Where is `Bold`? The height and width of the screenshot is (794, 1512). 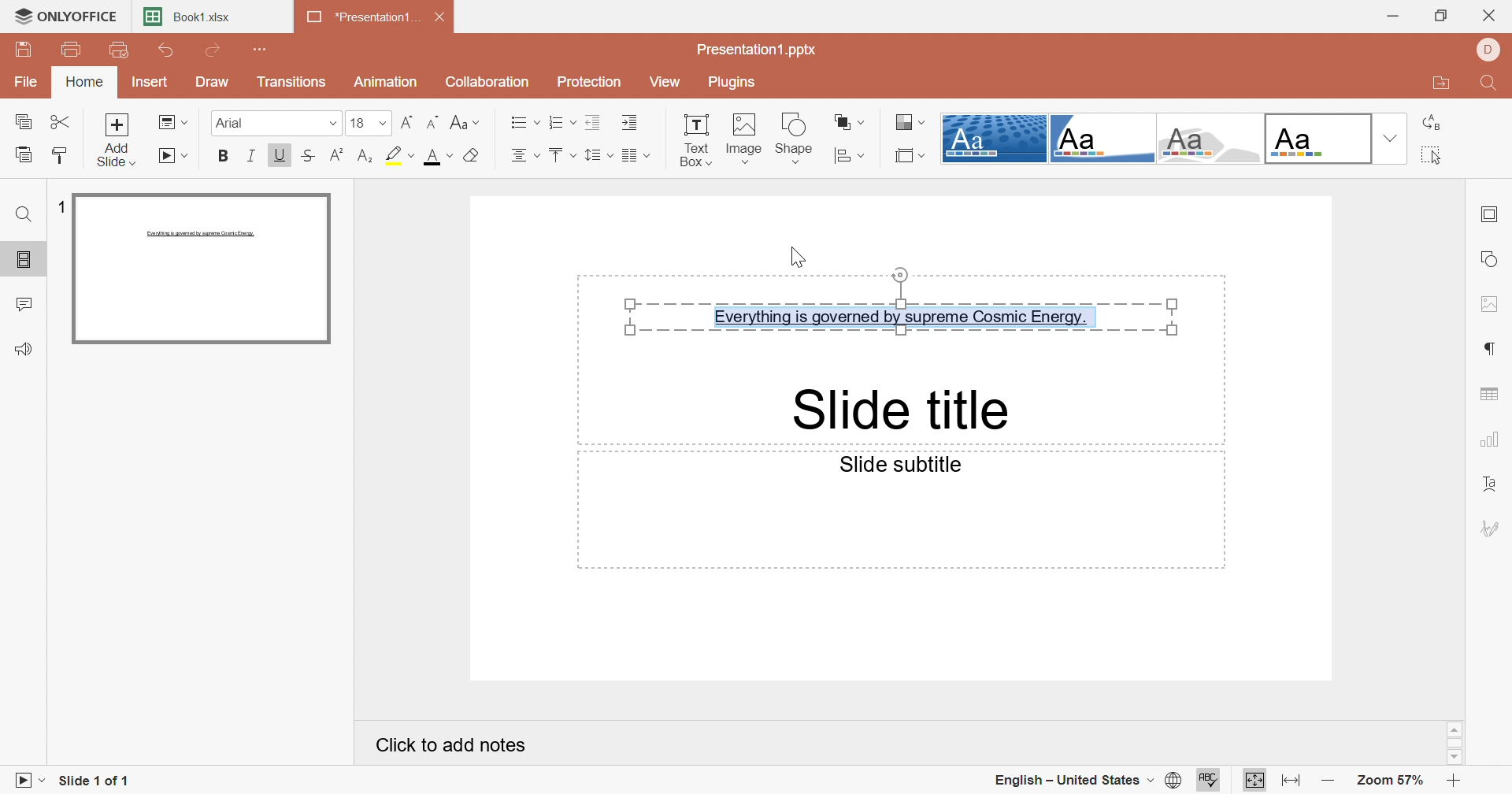
Bold is located at coordinates (222, 157).